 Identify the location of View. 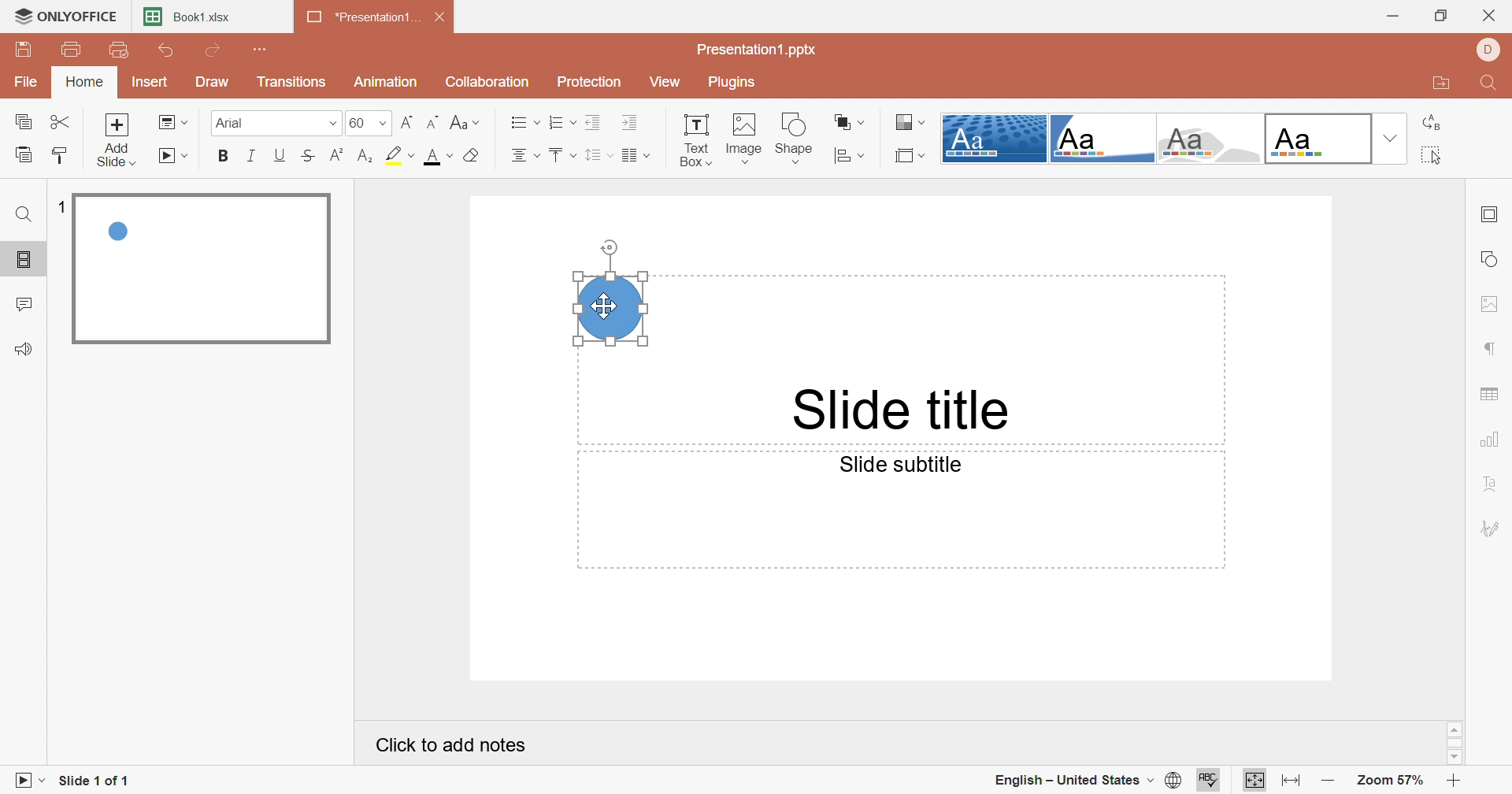
(672, 83).